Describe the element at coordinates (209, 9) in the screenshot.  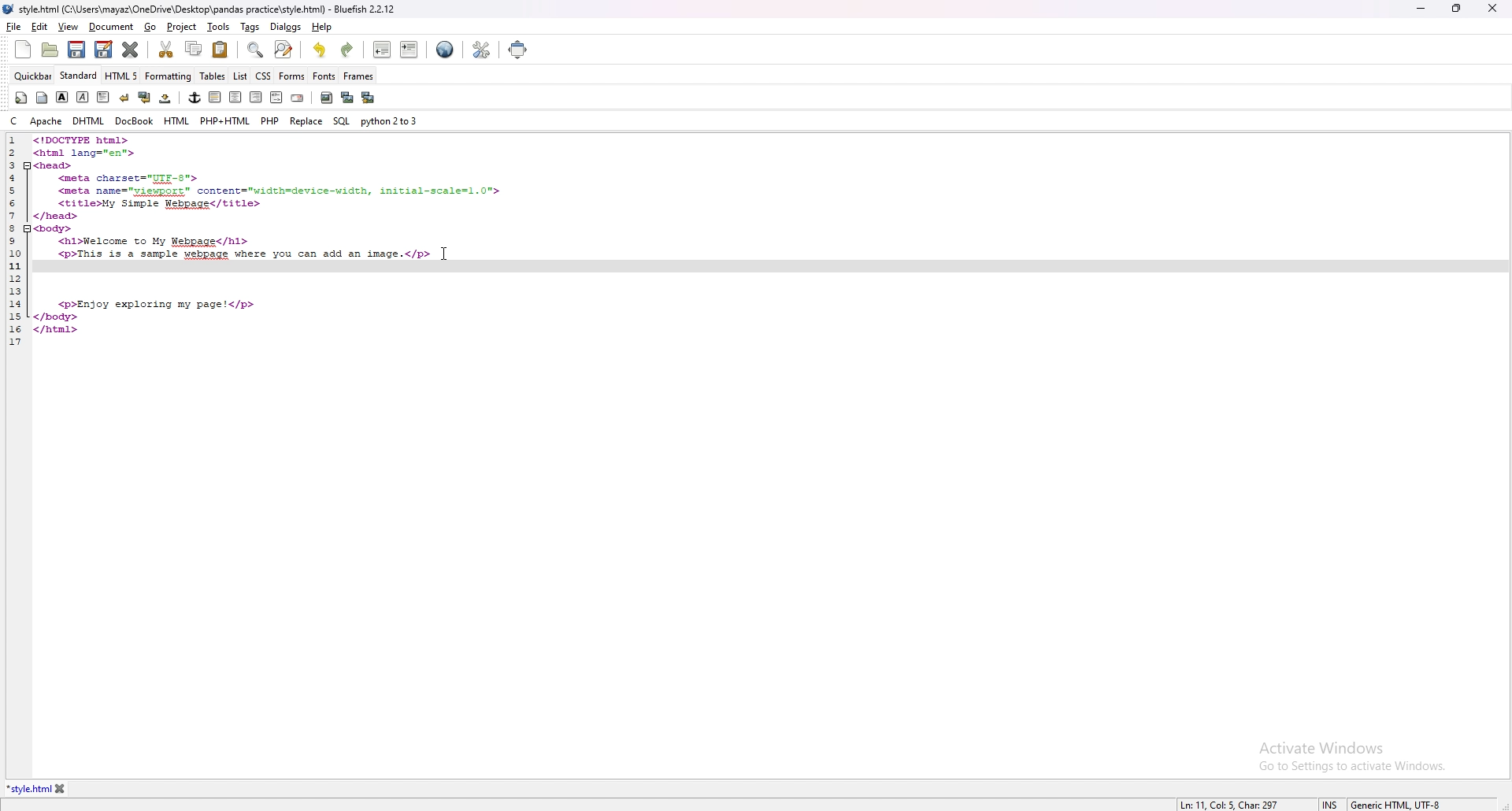
I see `style.htm| (C:A\Users\mayaz\OneDrive\Desktop\pandas practice\style.html) - Bluefish 2.2.12` at that location.